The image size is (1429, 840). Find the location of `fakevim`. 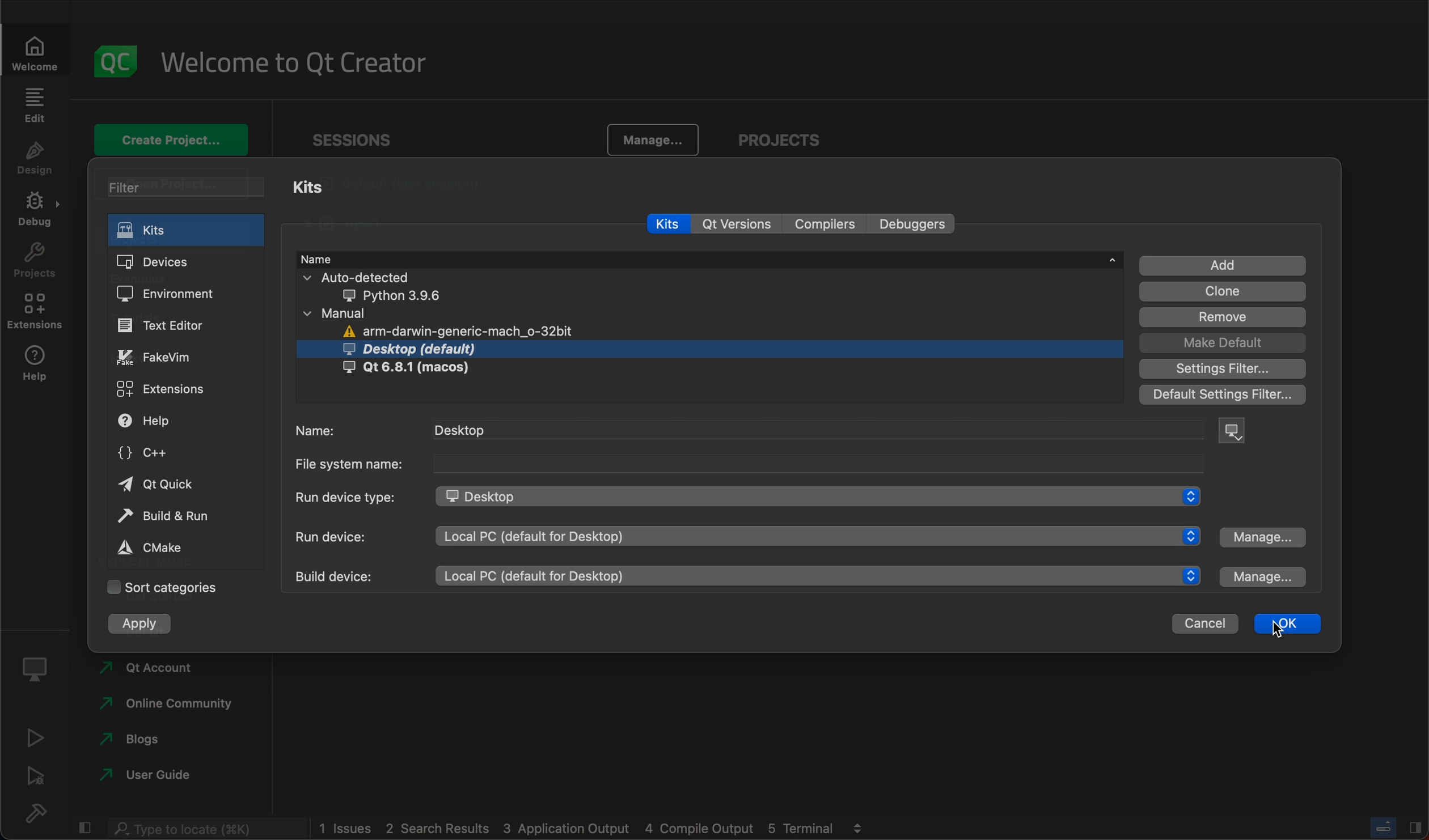

fakevim is located at coordinates (159, 357).